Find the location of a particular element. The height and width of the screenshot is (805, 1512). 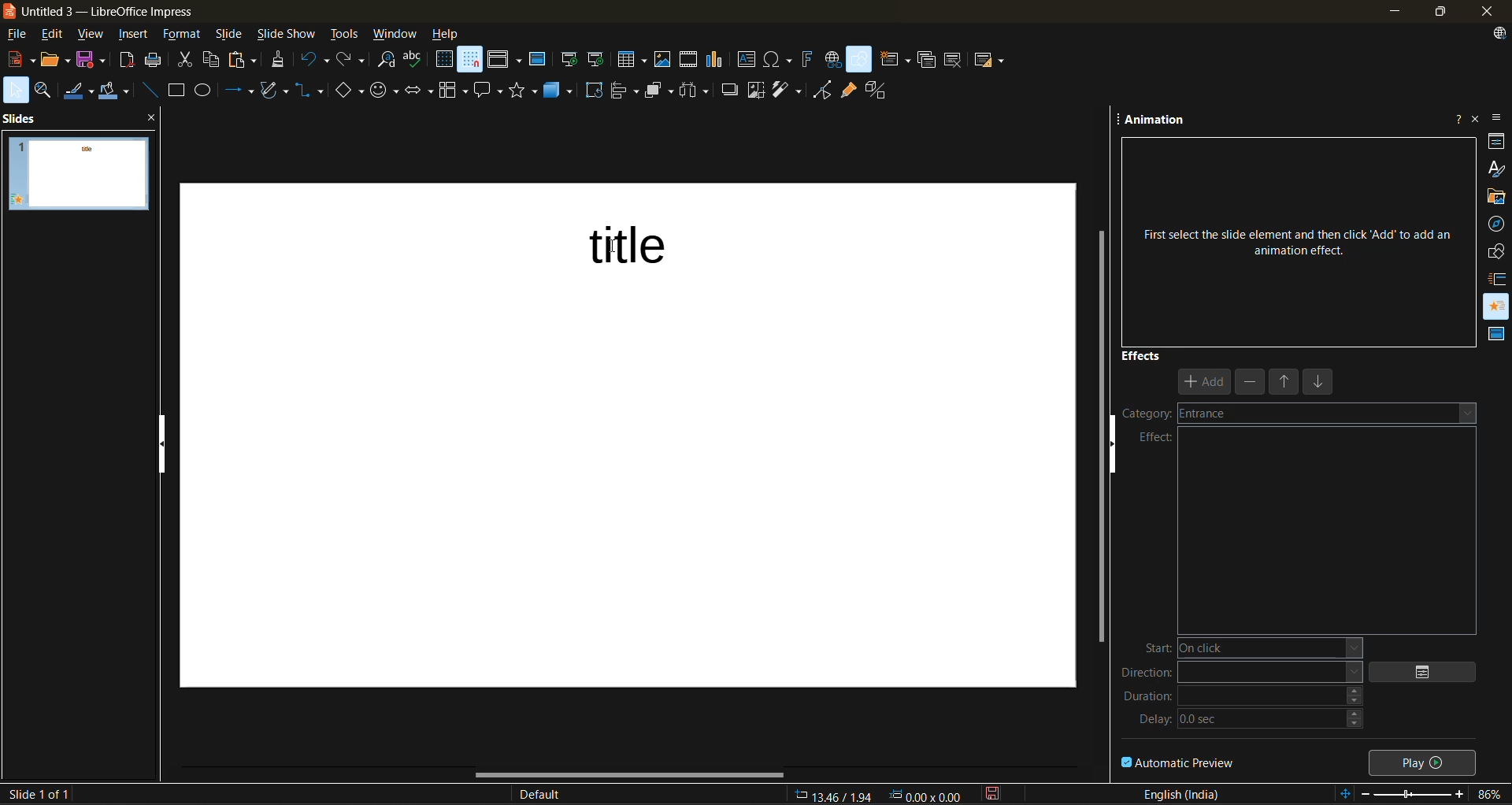

logo is located at coordinates (9, 10).